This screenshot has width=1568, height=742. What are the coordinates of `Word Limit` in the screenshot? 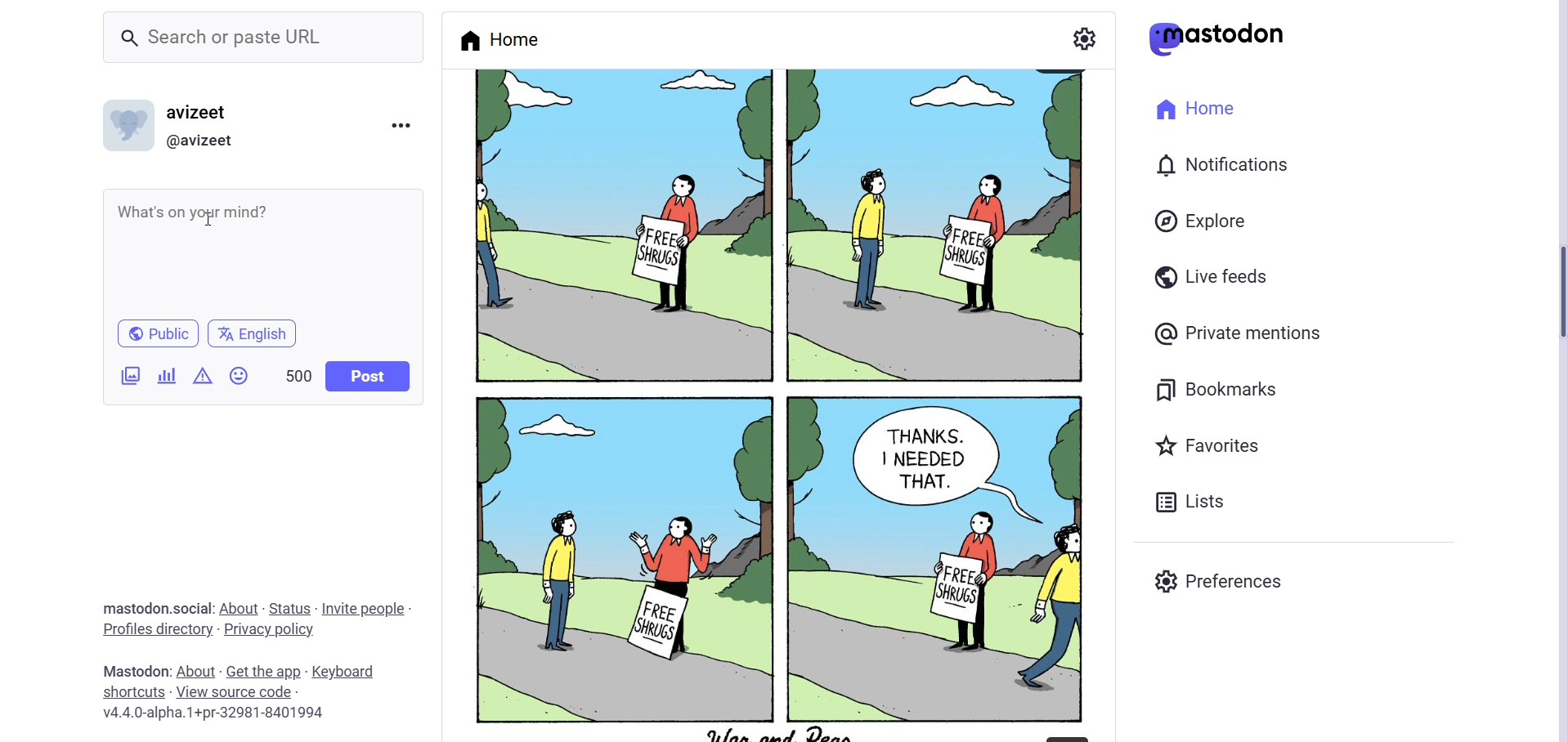 It's located at (299, 373).